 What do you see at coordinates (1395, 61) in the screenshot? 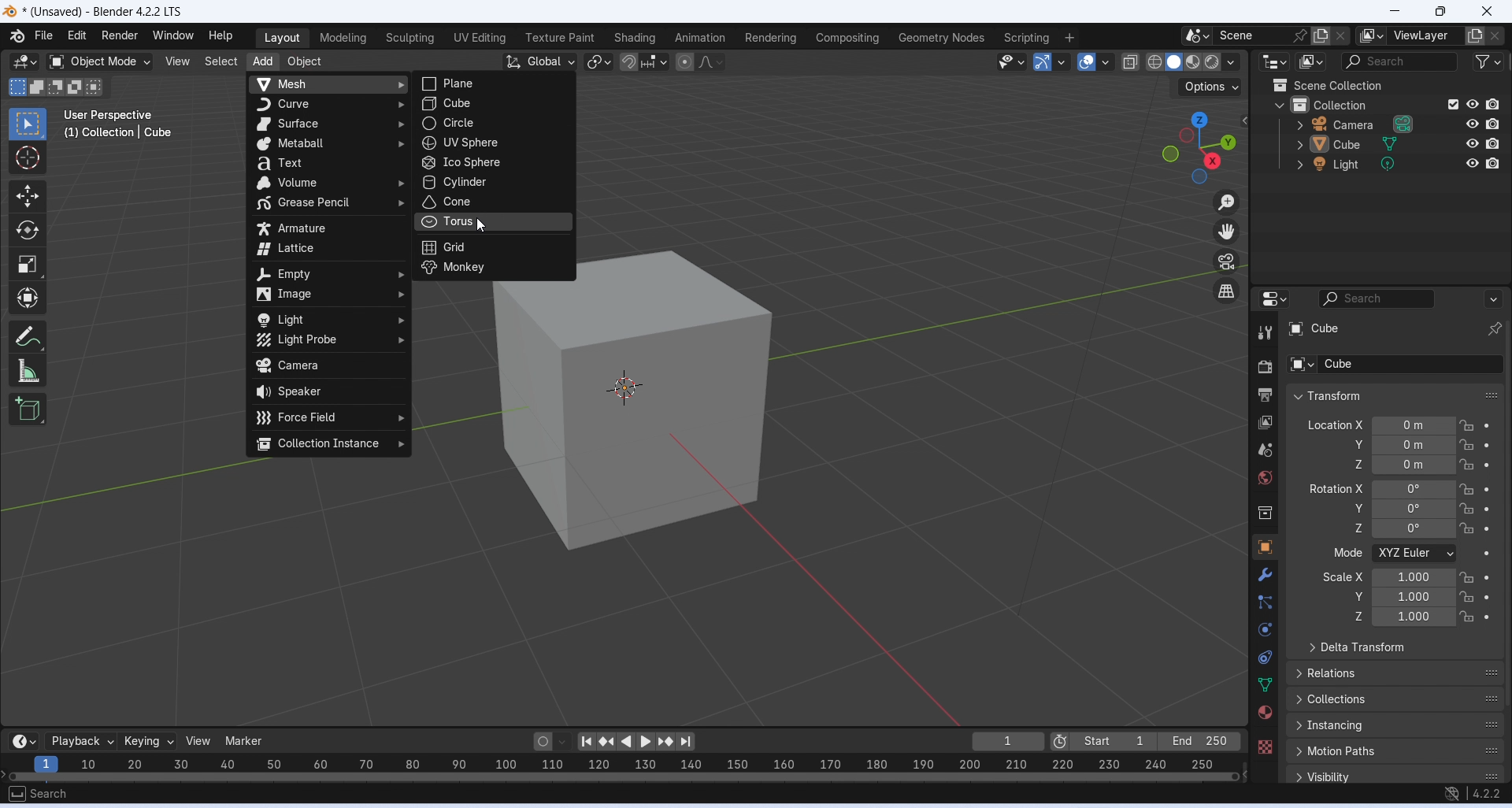
I see `Search` at bounding box center [1395, 61].